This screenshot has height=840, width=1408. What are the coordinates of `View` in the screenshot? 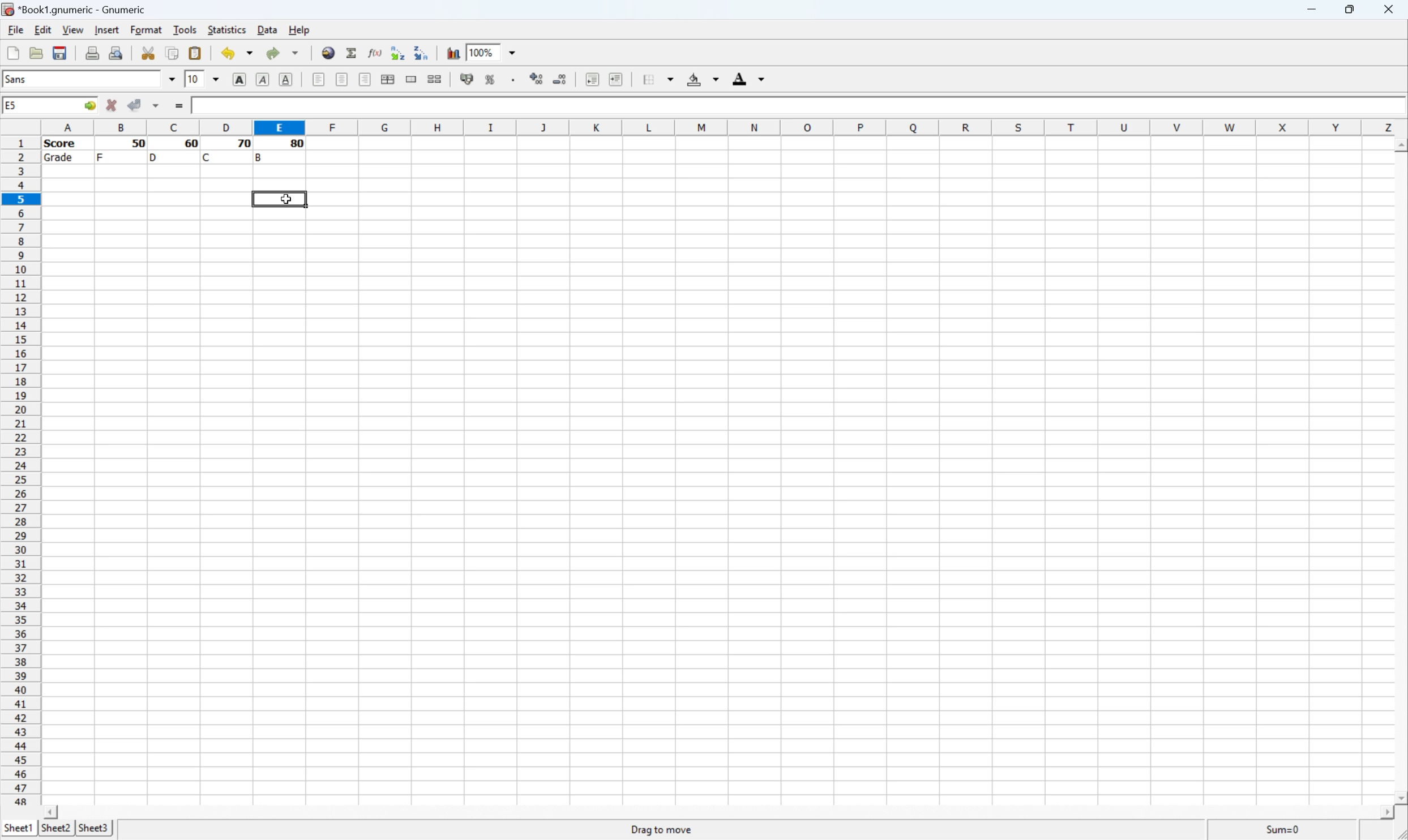 It's located at (72, 29).